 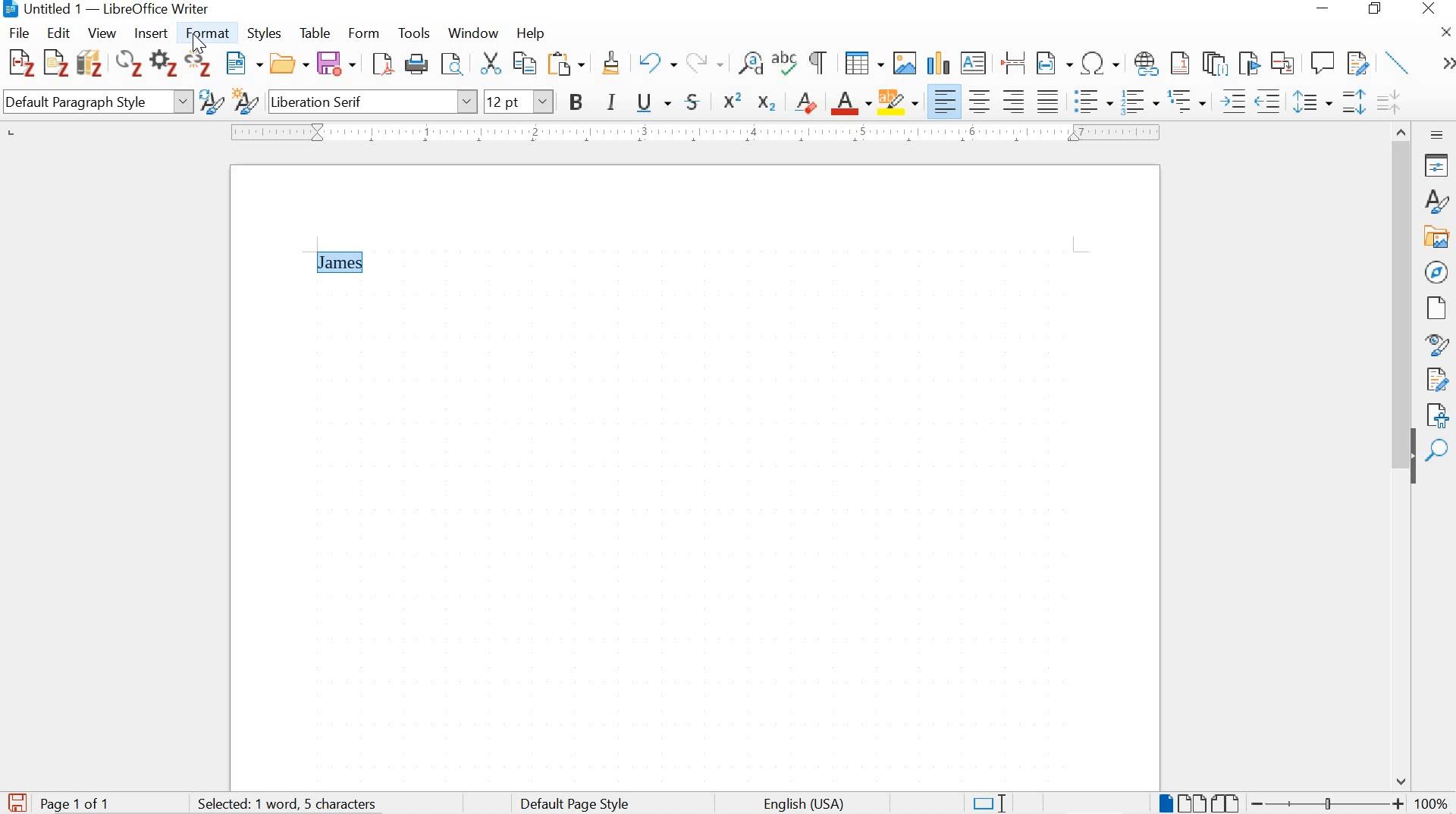 I want to click on insert table, so click(x=864, y=64).